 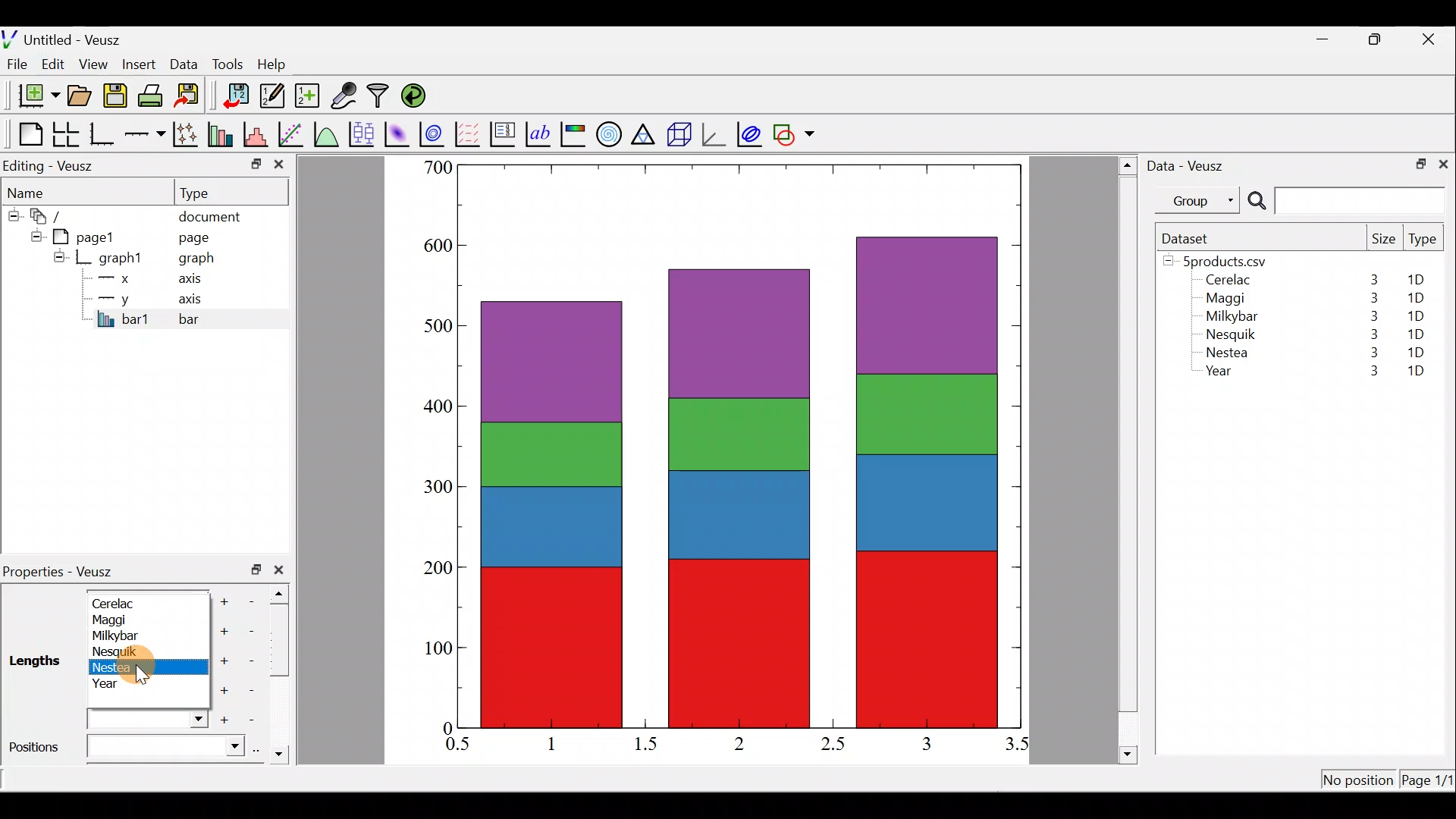 What do you see at coordinates (214, 318) in the screenshot?
I see `bar` at bounding box center [214, 318].